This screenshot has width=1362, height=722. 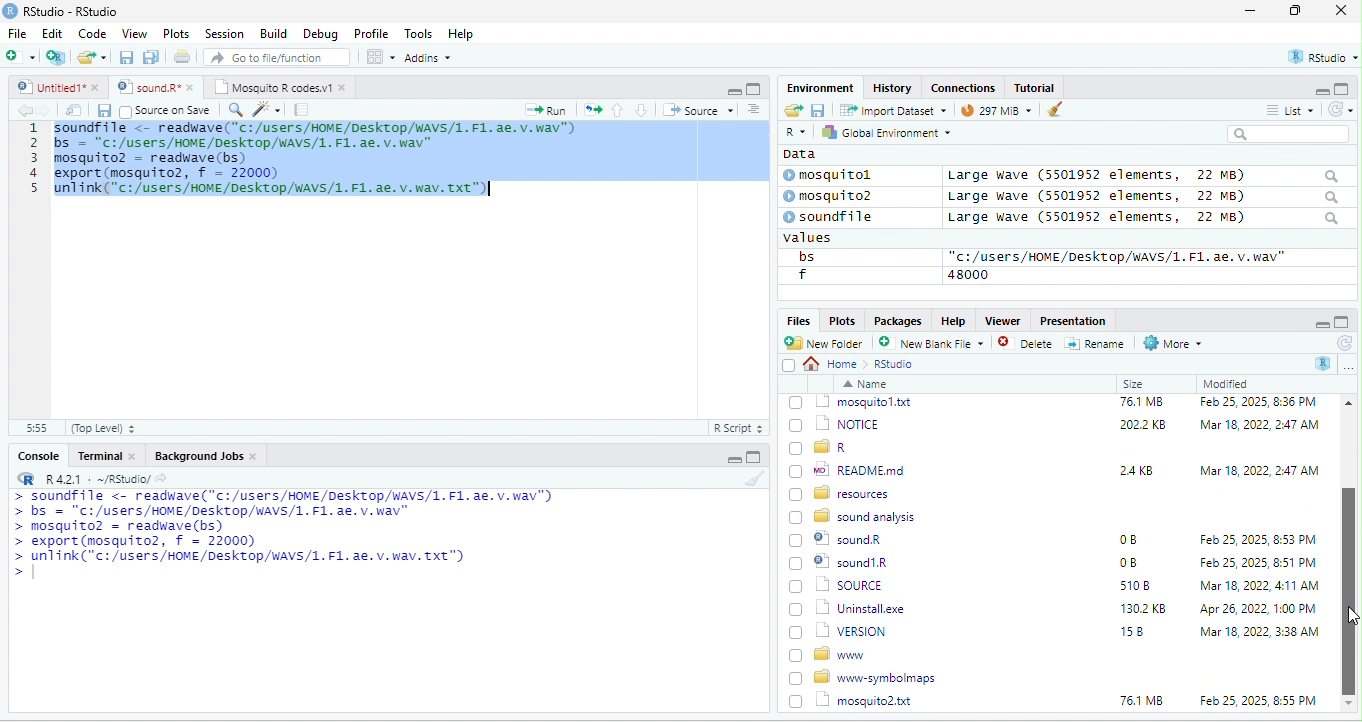 I want to click on BD resources, so click(x=843, y=610).